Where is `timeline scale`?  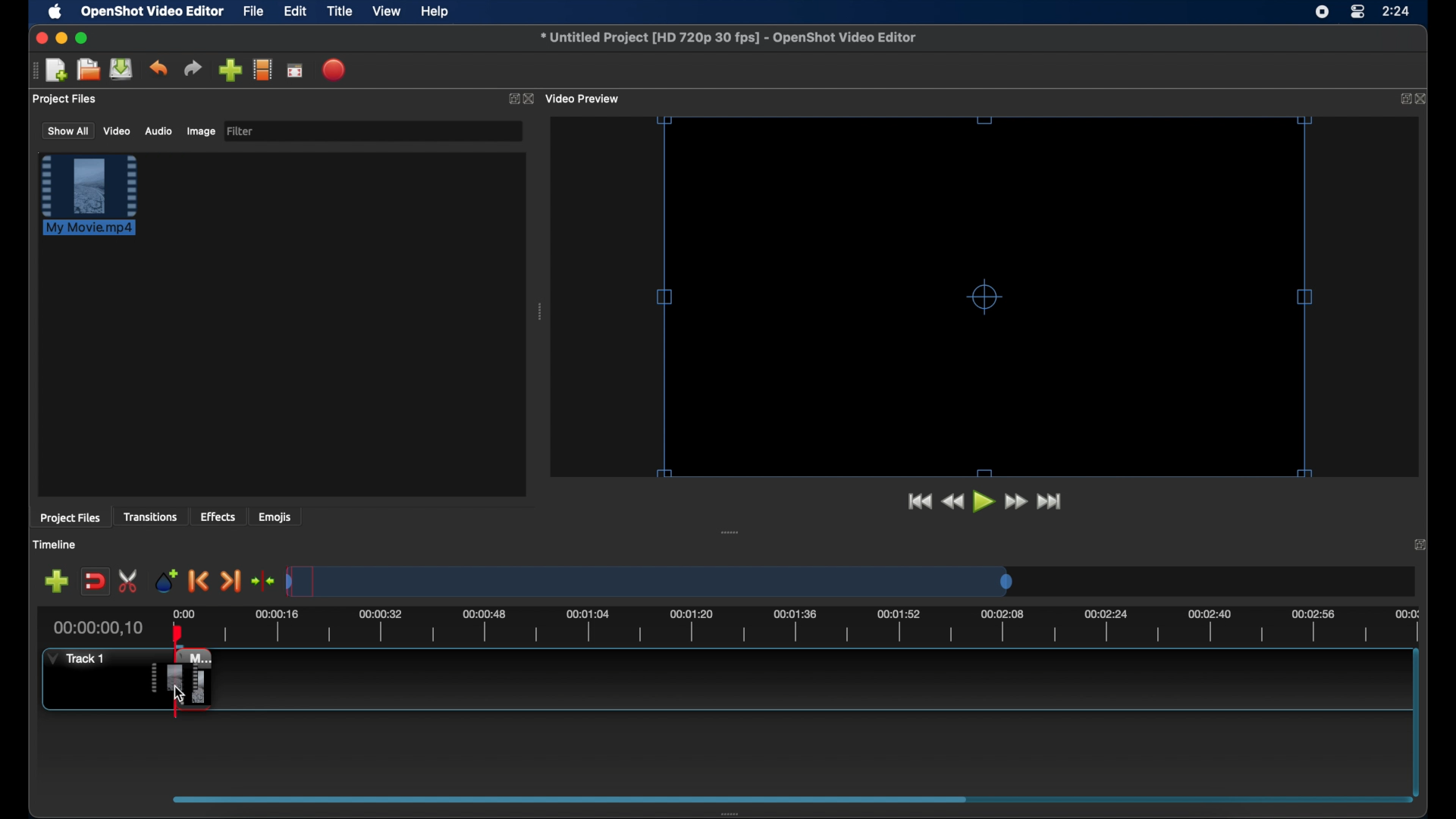
timeline scale is located at coordinates (820, 626).